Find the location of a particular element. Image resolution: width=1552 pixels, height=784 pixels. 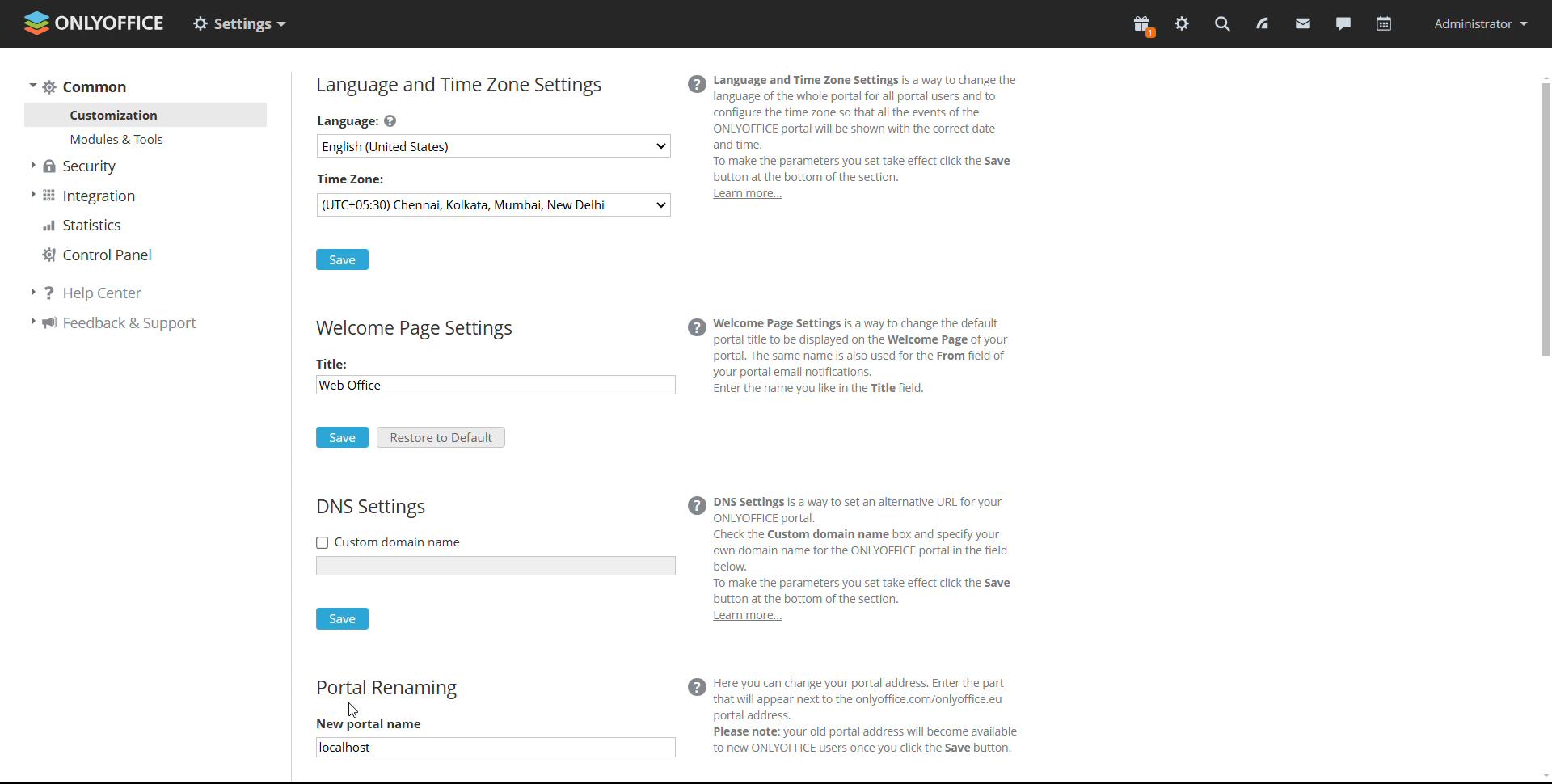

present is located at coordinates (1142, 27).